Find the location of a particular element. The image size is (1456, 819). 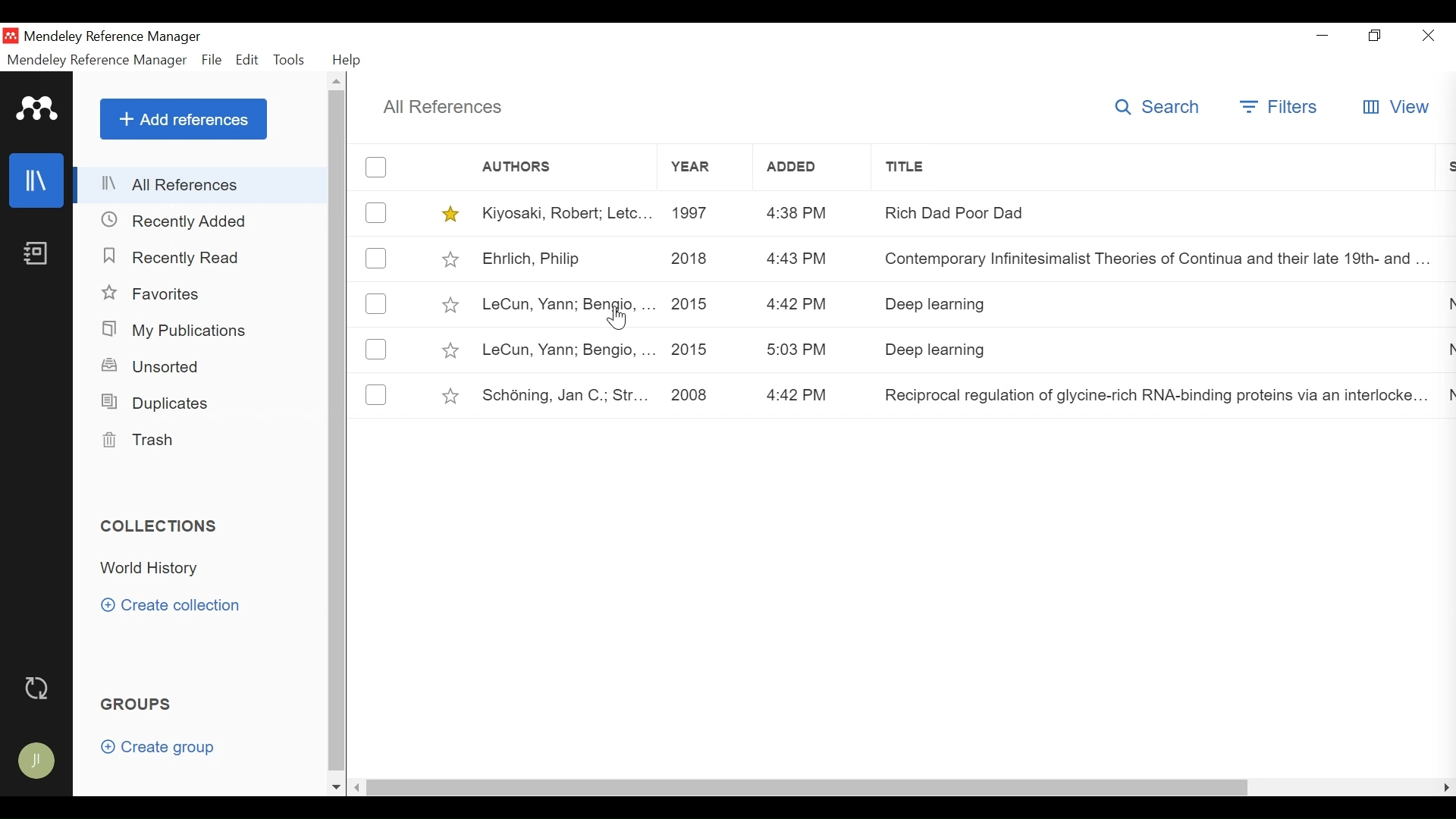

4:43 PM is located at coordinates (798, 259).